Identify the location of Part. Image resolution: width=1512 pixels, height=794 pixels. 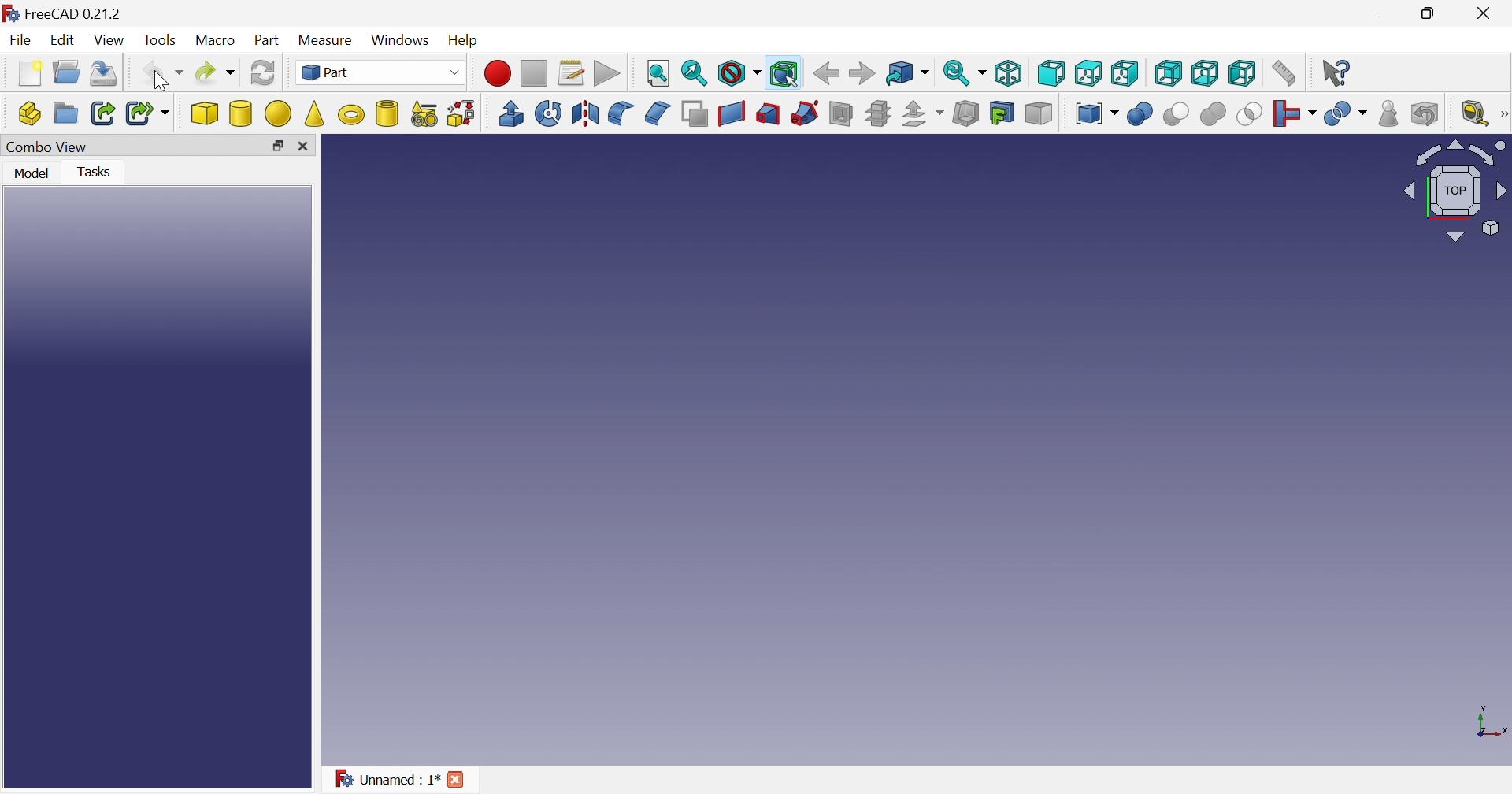
(378, 72).